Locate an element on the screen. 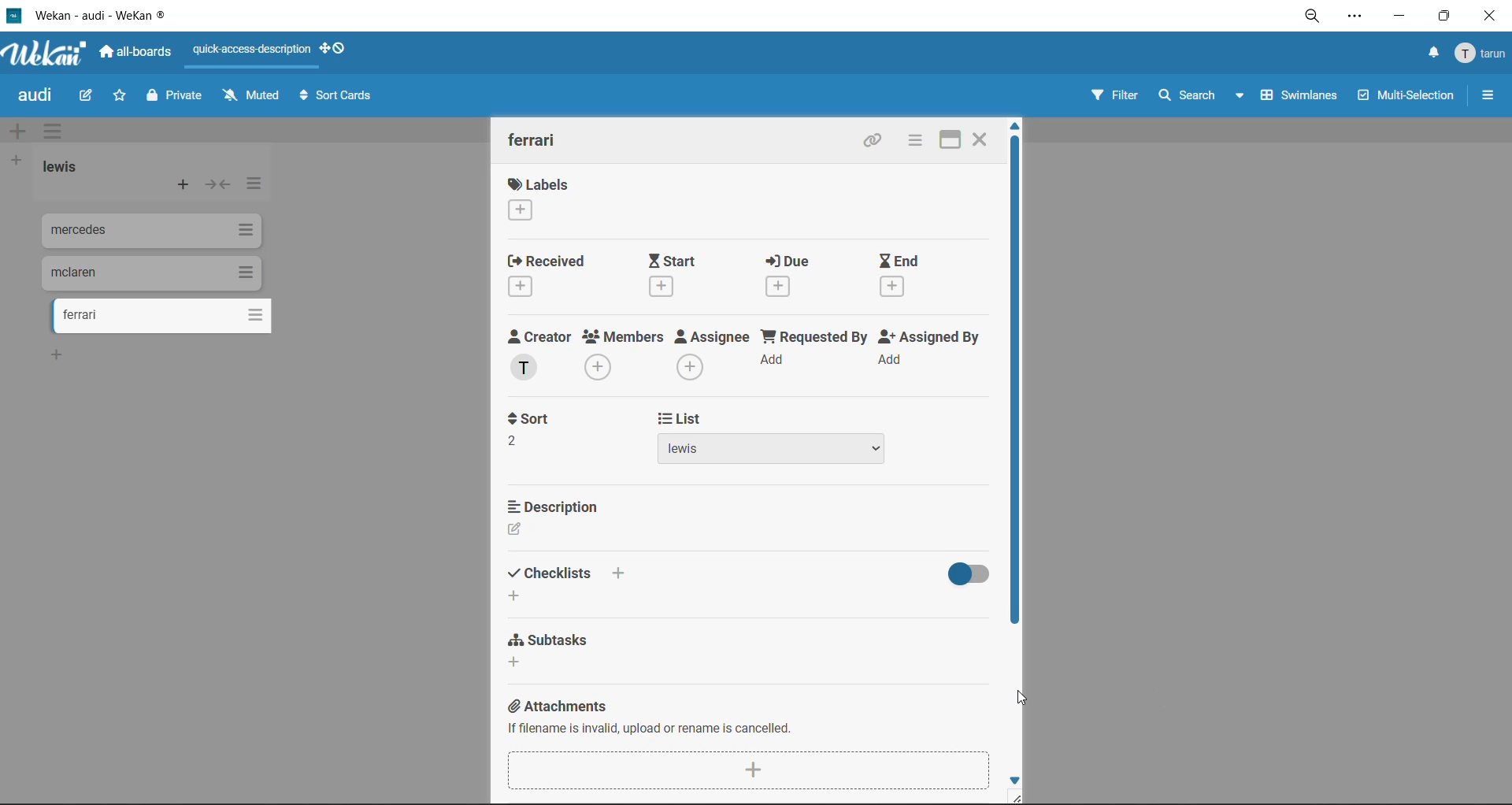 The width and height of the screenshot is (1512, 805). board title is located at coordinates (32, 95).